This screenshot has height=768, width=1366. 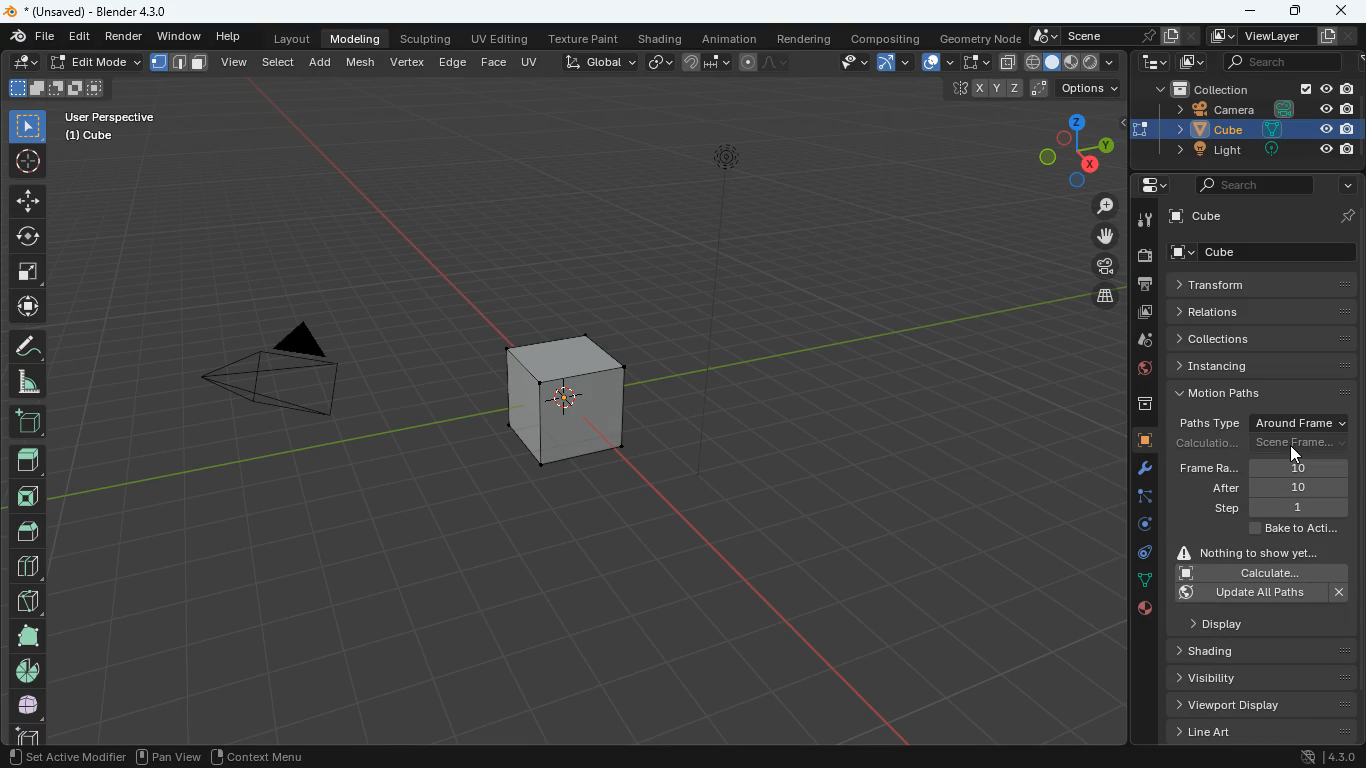 What do you see at coordinates (1142, 313) in the screenshot?
I see `image` at bounding box center [1142, 313].